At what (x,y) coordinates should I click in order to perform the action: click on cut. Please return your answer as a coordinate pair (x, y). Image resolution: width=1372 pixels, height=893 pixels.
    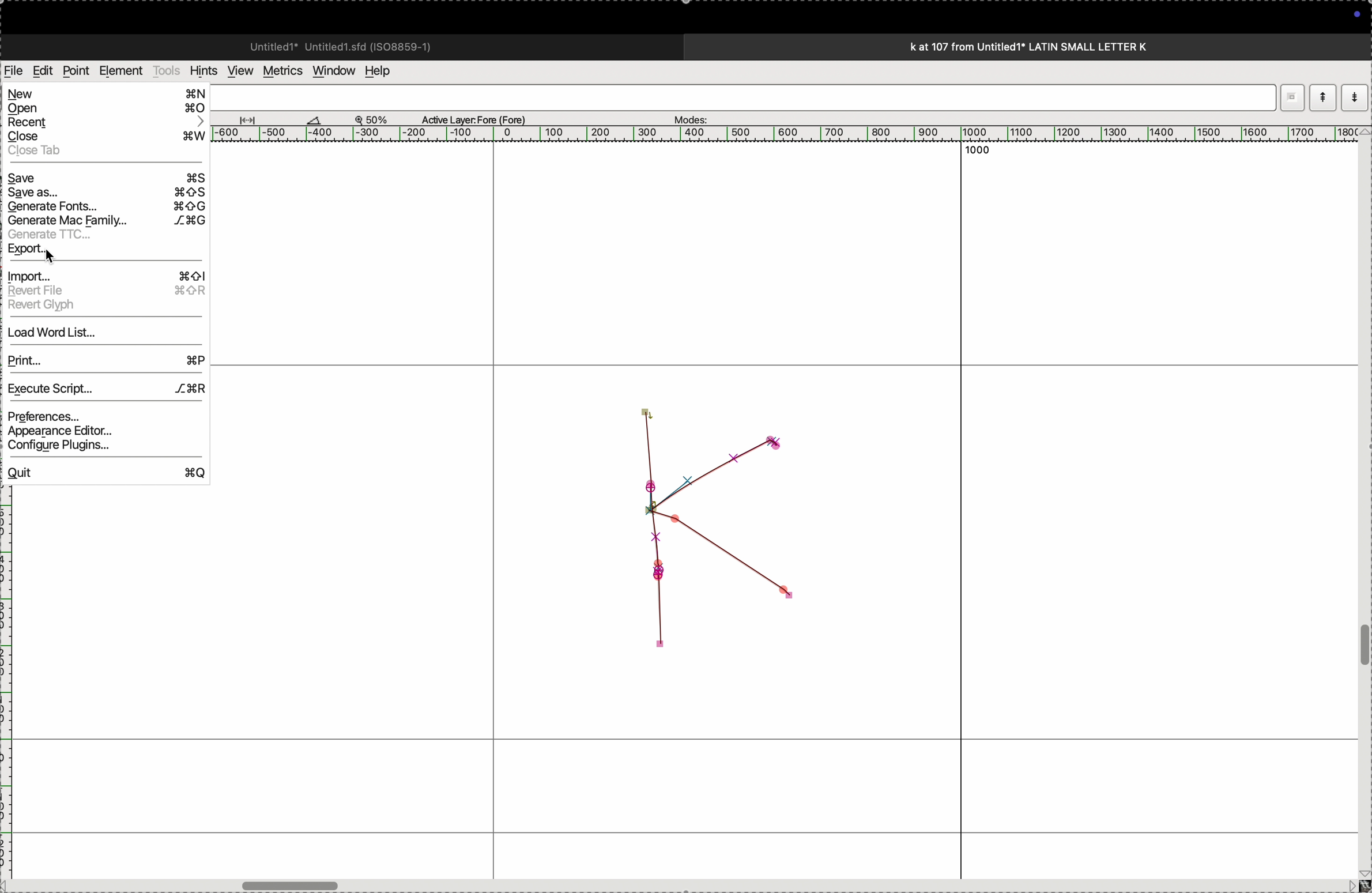
    Looking at the image, I should click on (314, 119).